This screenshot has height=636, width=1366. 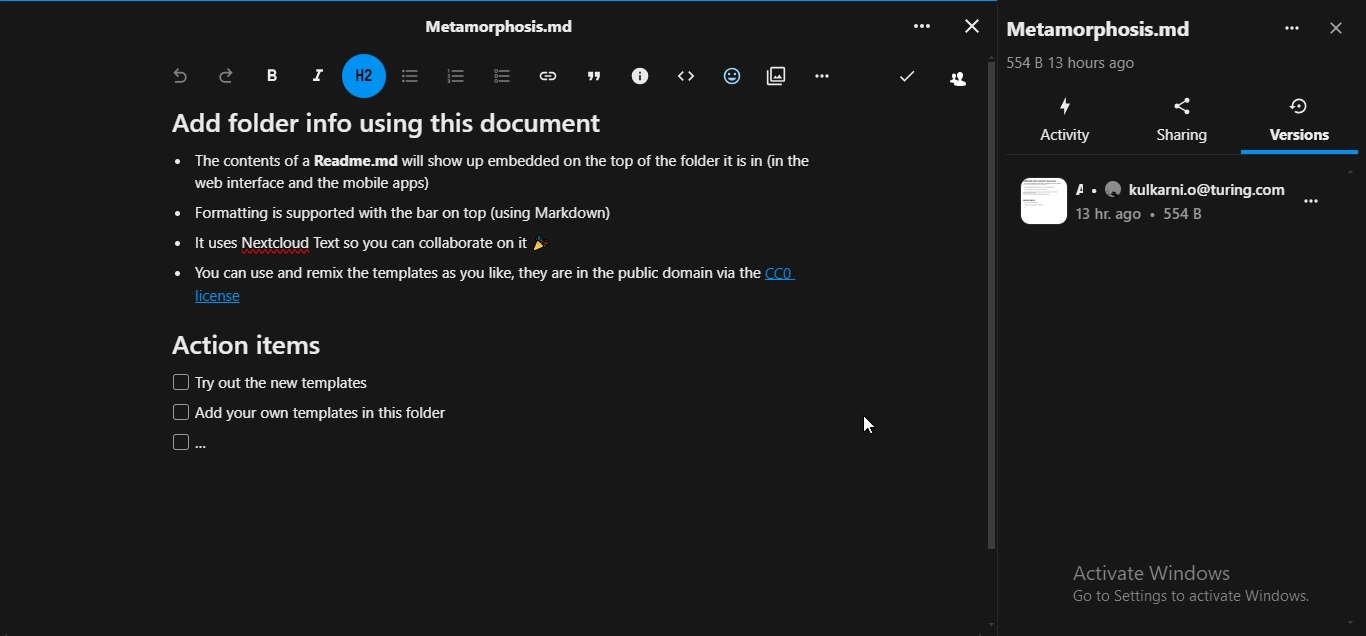 What do you see at coordinates (493, 25) in the screenshot?
I see `text` at bounding box center [493, 25].